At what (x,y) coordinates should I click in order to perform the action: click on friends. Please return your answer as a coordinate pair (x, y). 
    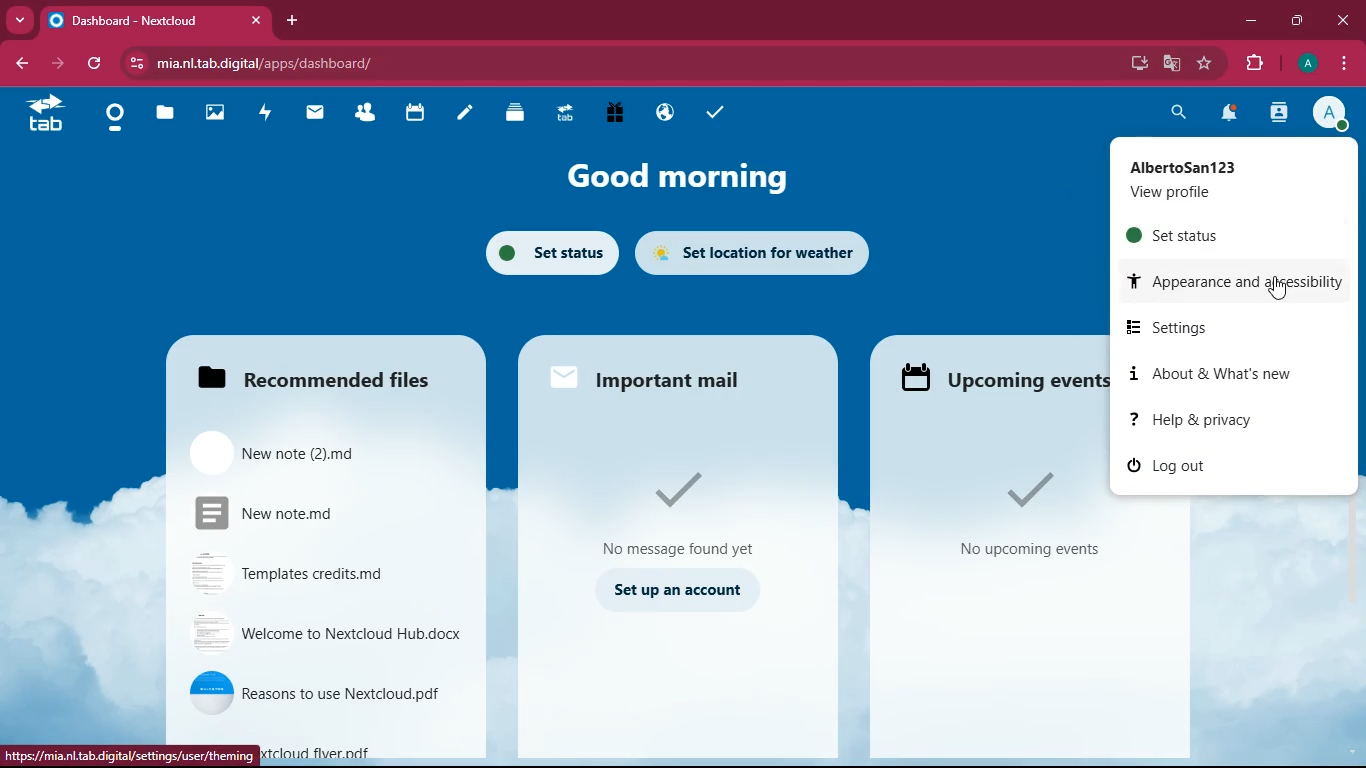
    Looking at the image, I should click on (363, 116).